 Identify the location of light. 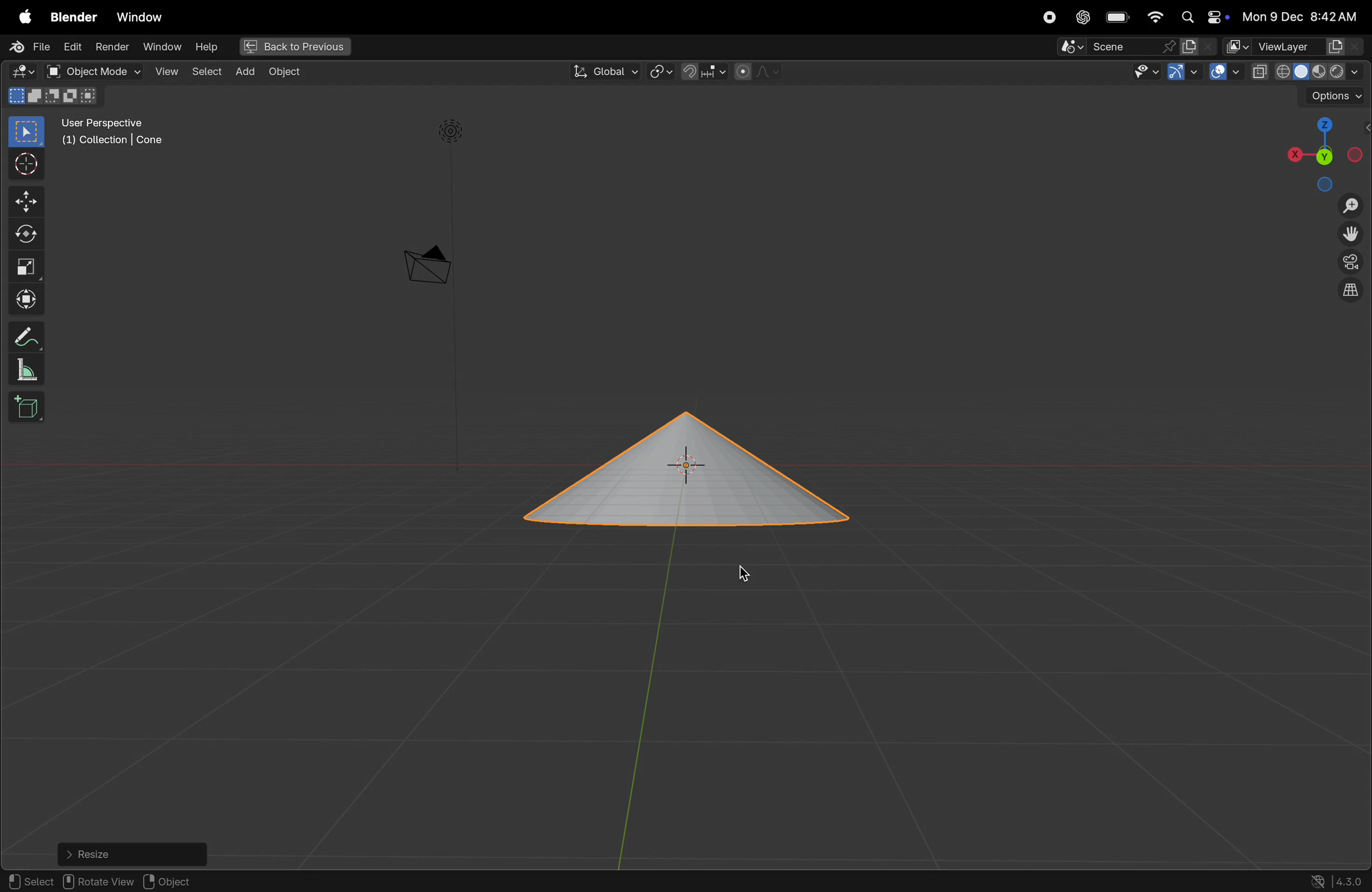
(453, 131).